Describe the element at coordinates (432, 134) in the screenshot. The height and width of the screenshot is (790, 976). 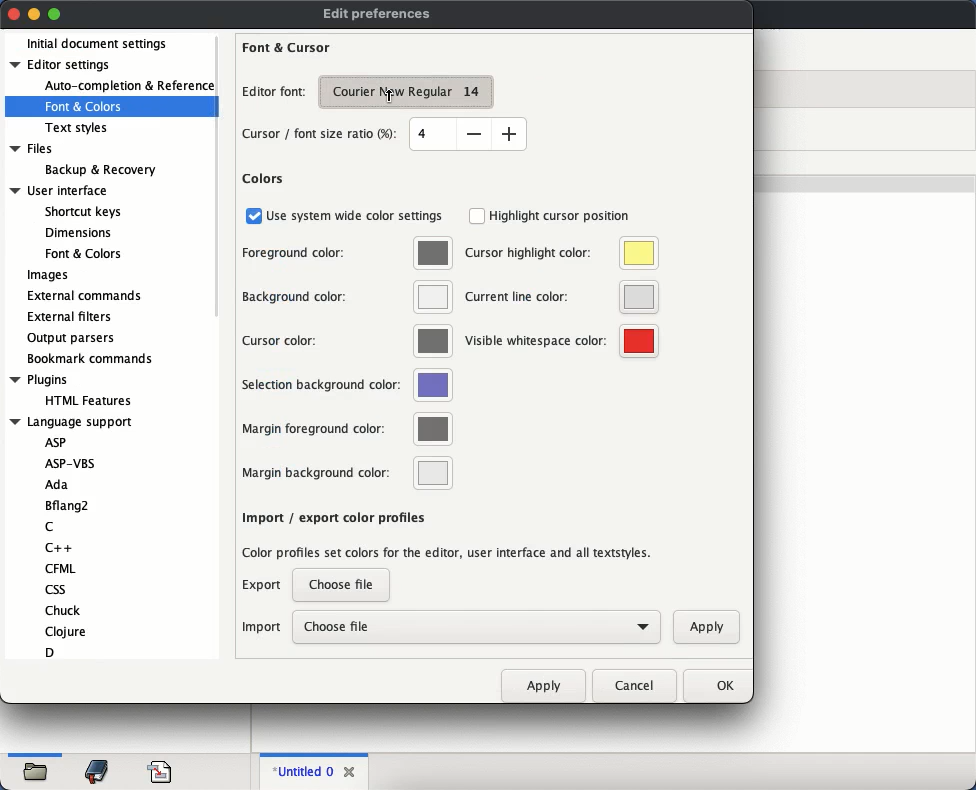
I see `enter size` at that location.